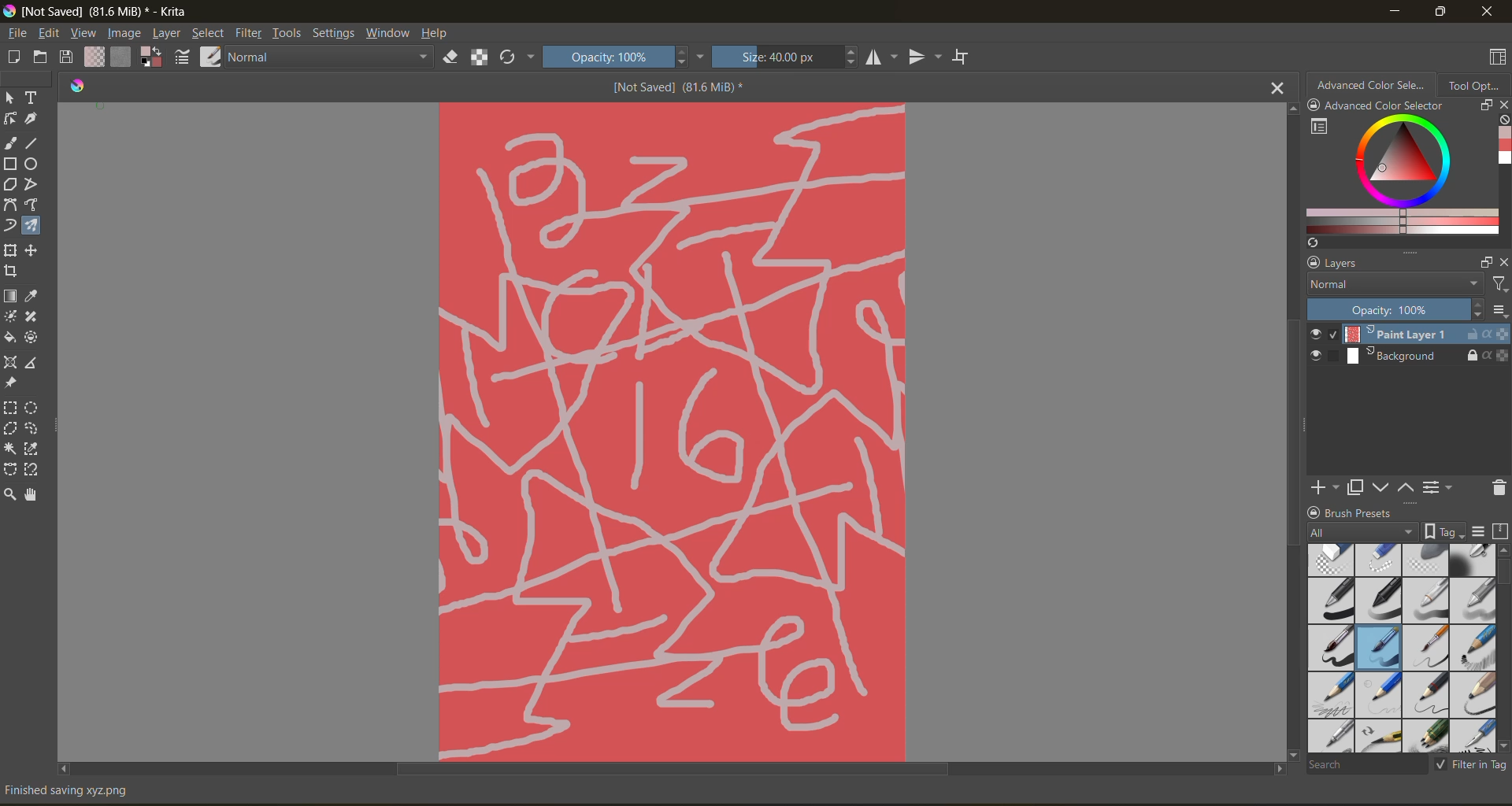  Describe the element at coordinates (126, 33) in the screenshot. I see `image` at that location.